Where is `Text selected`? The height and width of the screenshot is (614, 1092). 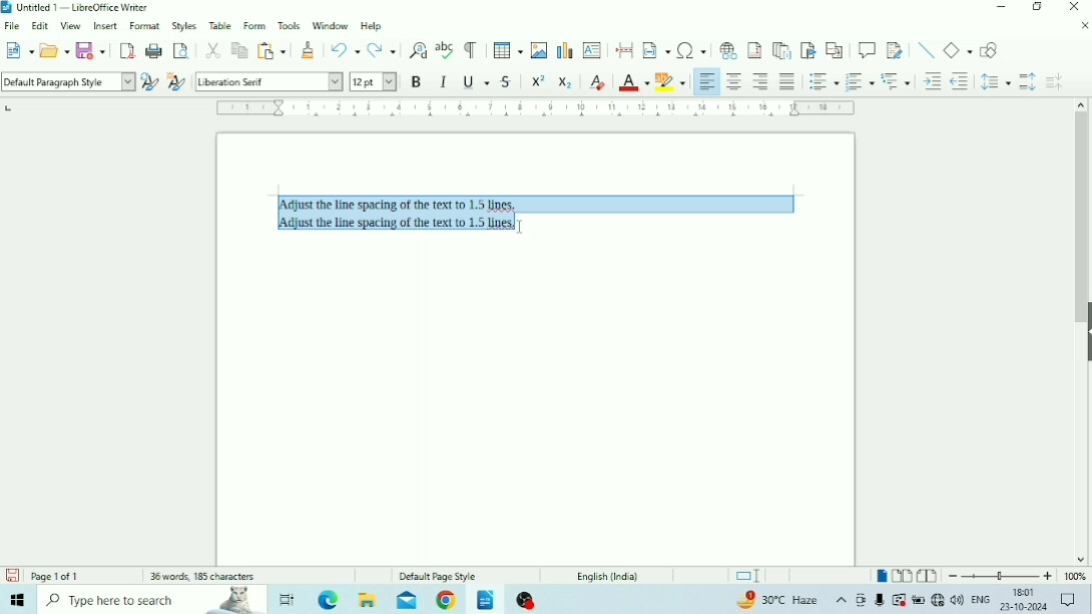 Text selected is located at coordinates (537, 214).